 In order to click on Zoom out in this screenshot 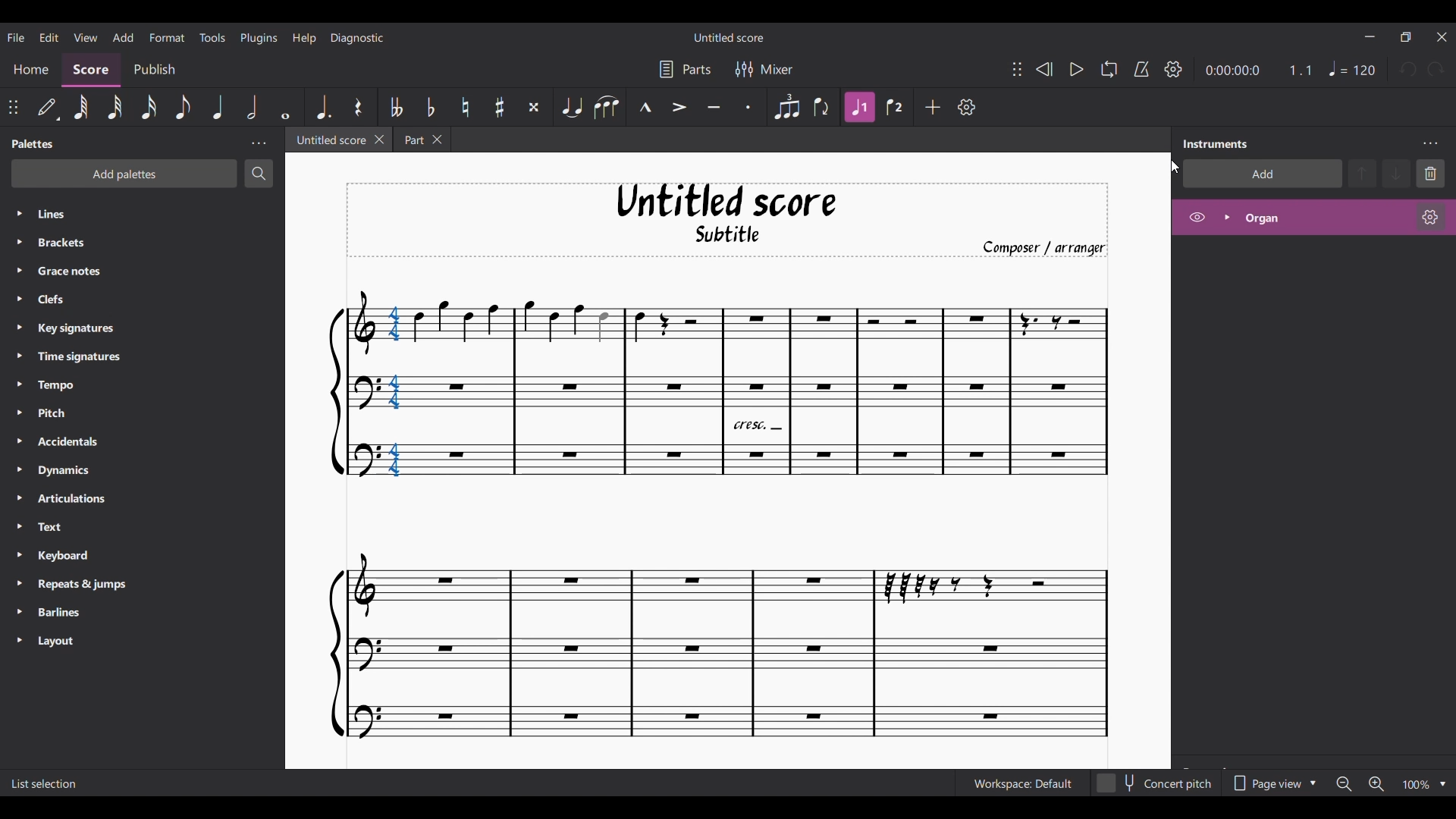, I will do `click(1345, 784)`.